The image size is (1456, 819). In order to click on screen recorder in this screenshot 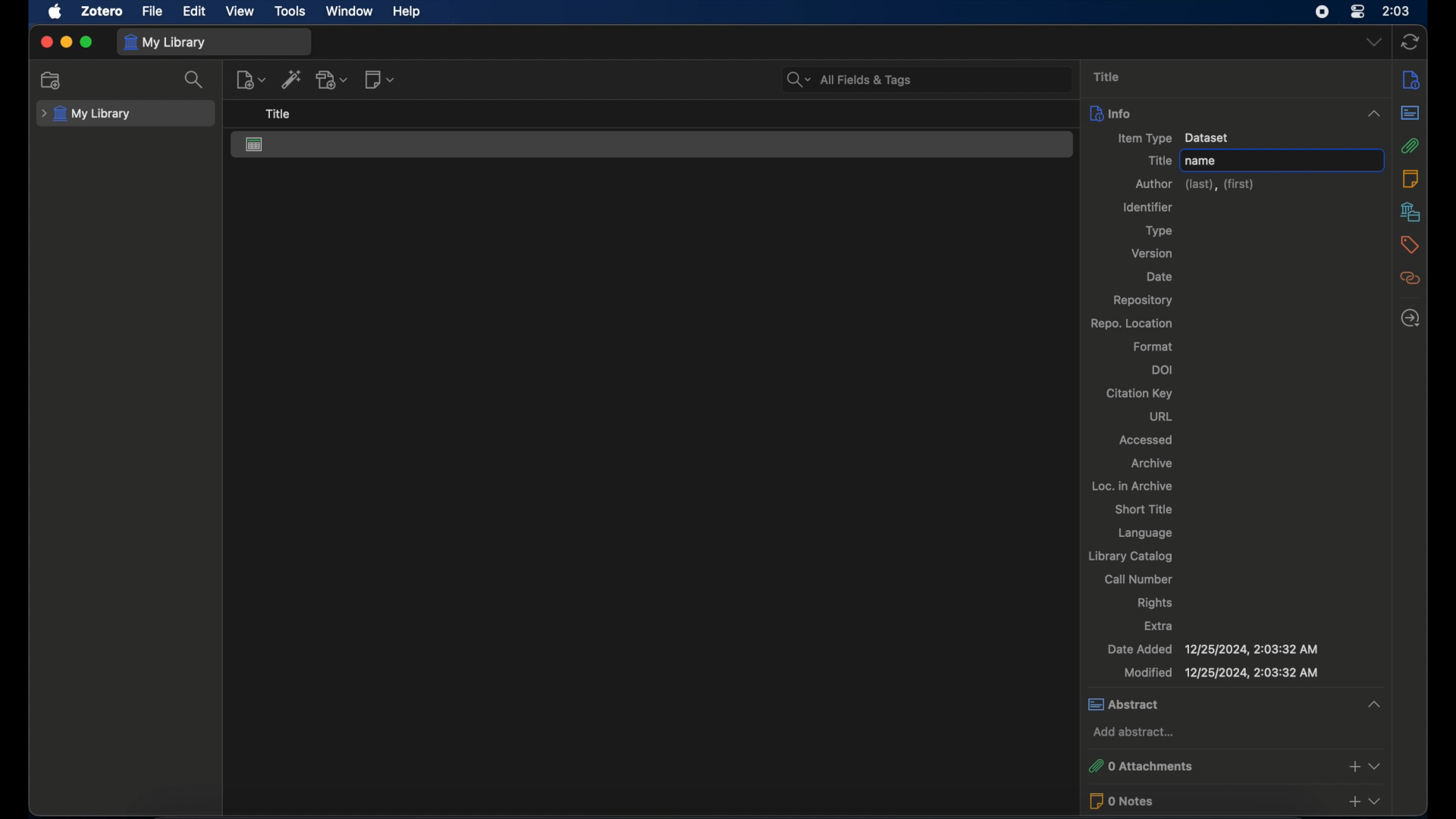, I will do `click(1323, 12)`.